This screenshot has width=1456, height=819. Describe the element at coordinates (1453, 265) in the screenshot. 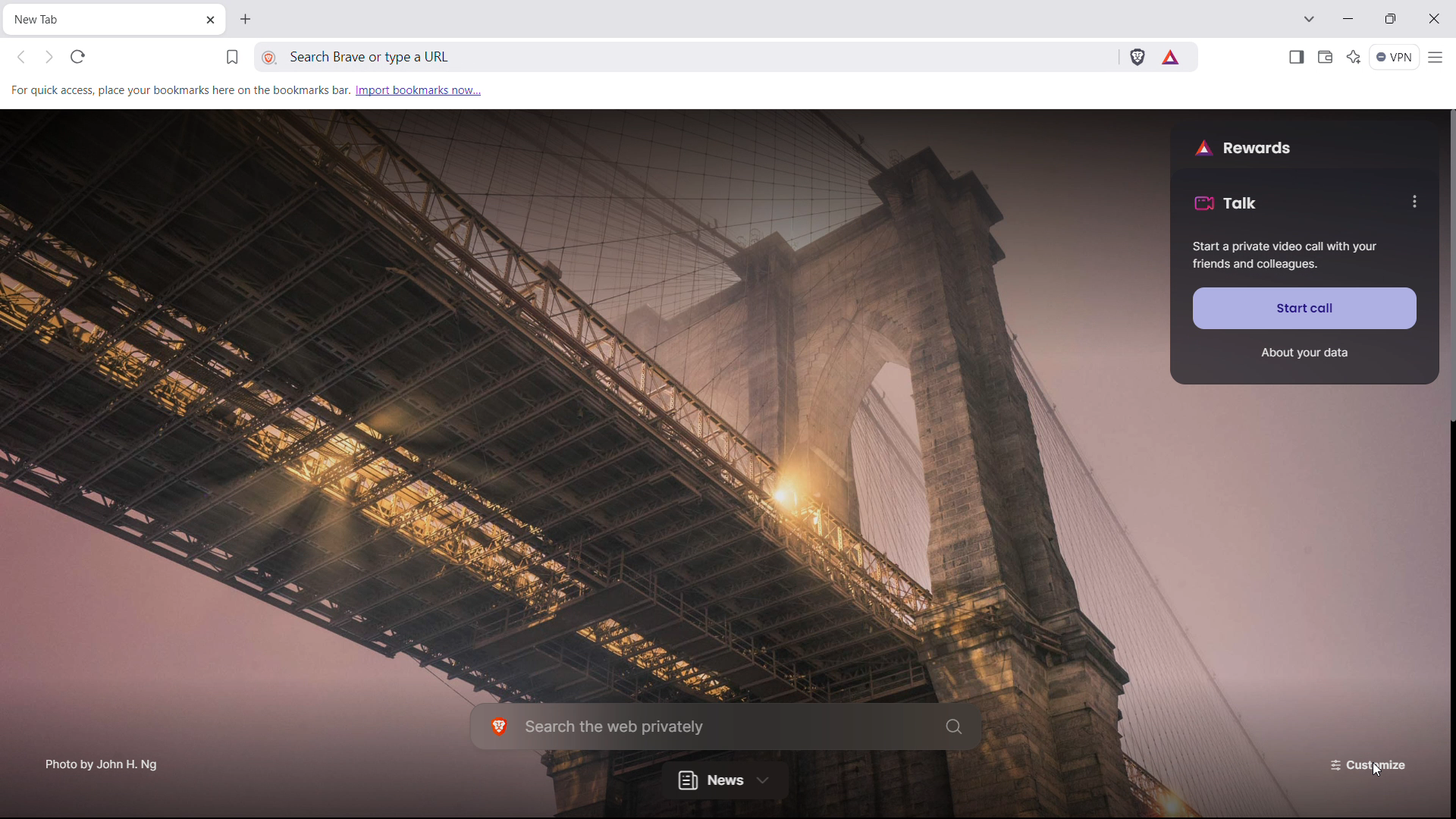

I see `scrollbar` at that location.